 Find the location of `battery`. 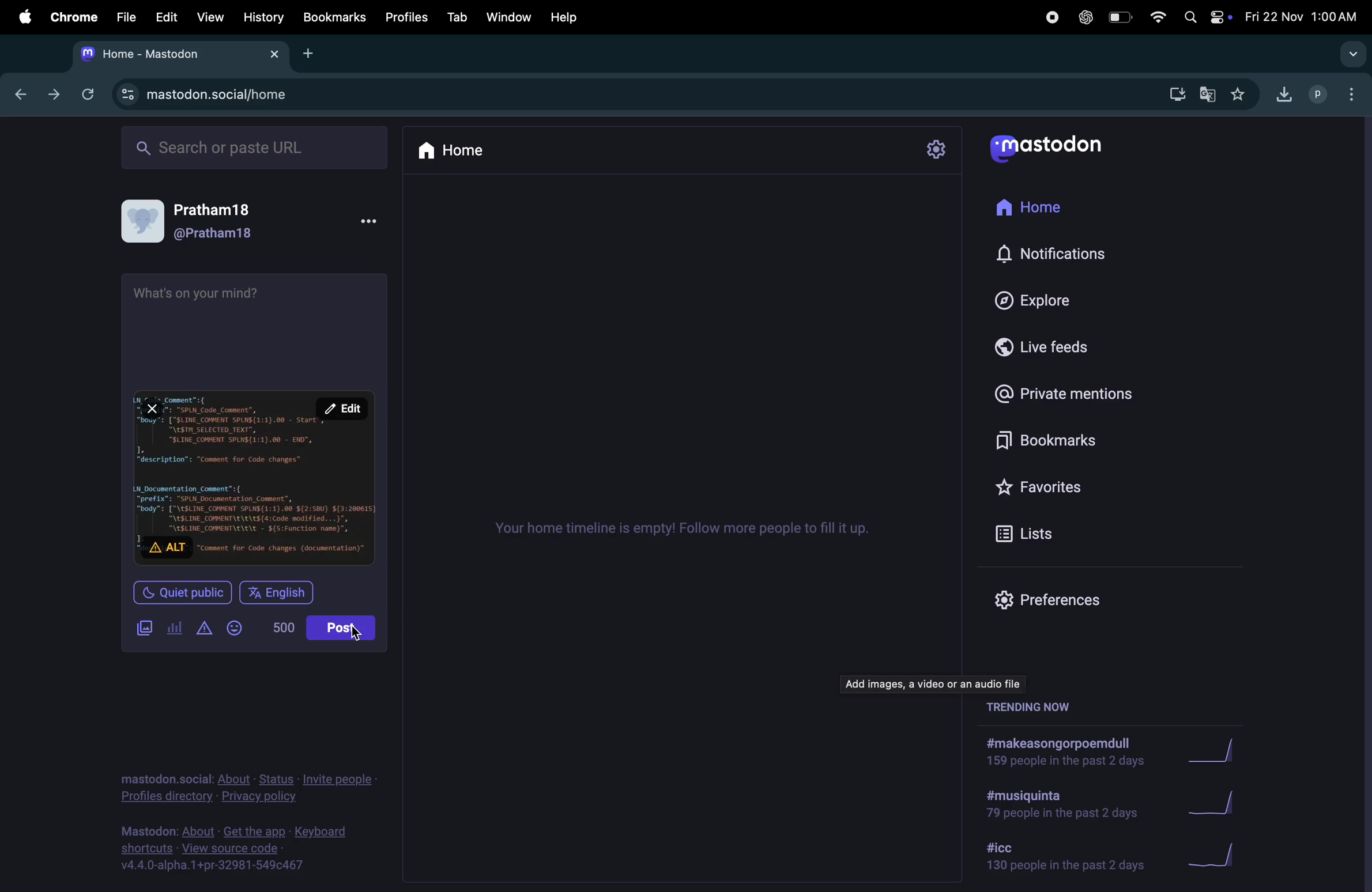

battery is located at coordinates (1120, 17).